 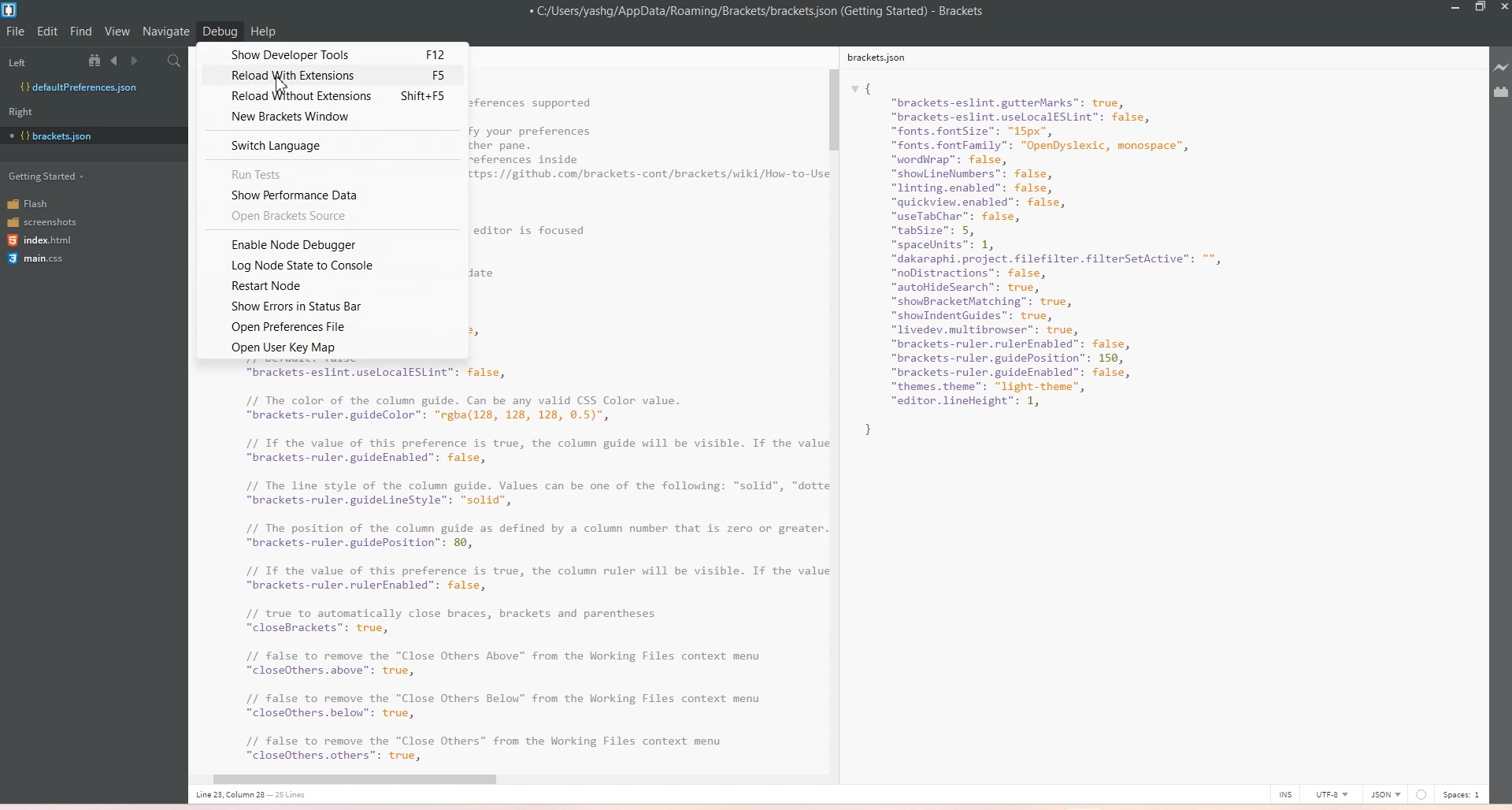 I want to click on brackets.json

vi
“brackets-eslint.gutterMarks”: true,
“brackets-eslint.uselocalESLint": false,
“fonts. fontSize": "15px",
“fonts. fontFamily”: "OpenDyslexic, monospace”,
“wordrap™: false,
“shouLineNumbers": false,
“linting.enabled": false,
“quickview.enabled”: false,
“useTabChar": false,
“tabSize": 5,
“spacelnits”: 1,
“dakaraphi.project. filefilter. filterSetActive™: ™*,
“noDistractions”: false,
“autoHideSearch”: true,
“showBracketMatching”: true,
“showIndentGuides”: true,
“livedev.multibrowser”: true,
“brackets-ruler.rulerEnabled”: false,
“brackets-ruler.guidePosition": 150,
“brackets-ruler.guideEnabled": false,
“themes. theme": "light-theme",
Sh 100]

}, so click(x=1068, y=259).